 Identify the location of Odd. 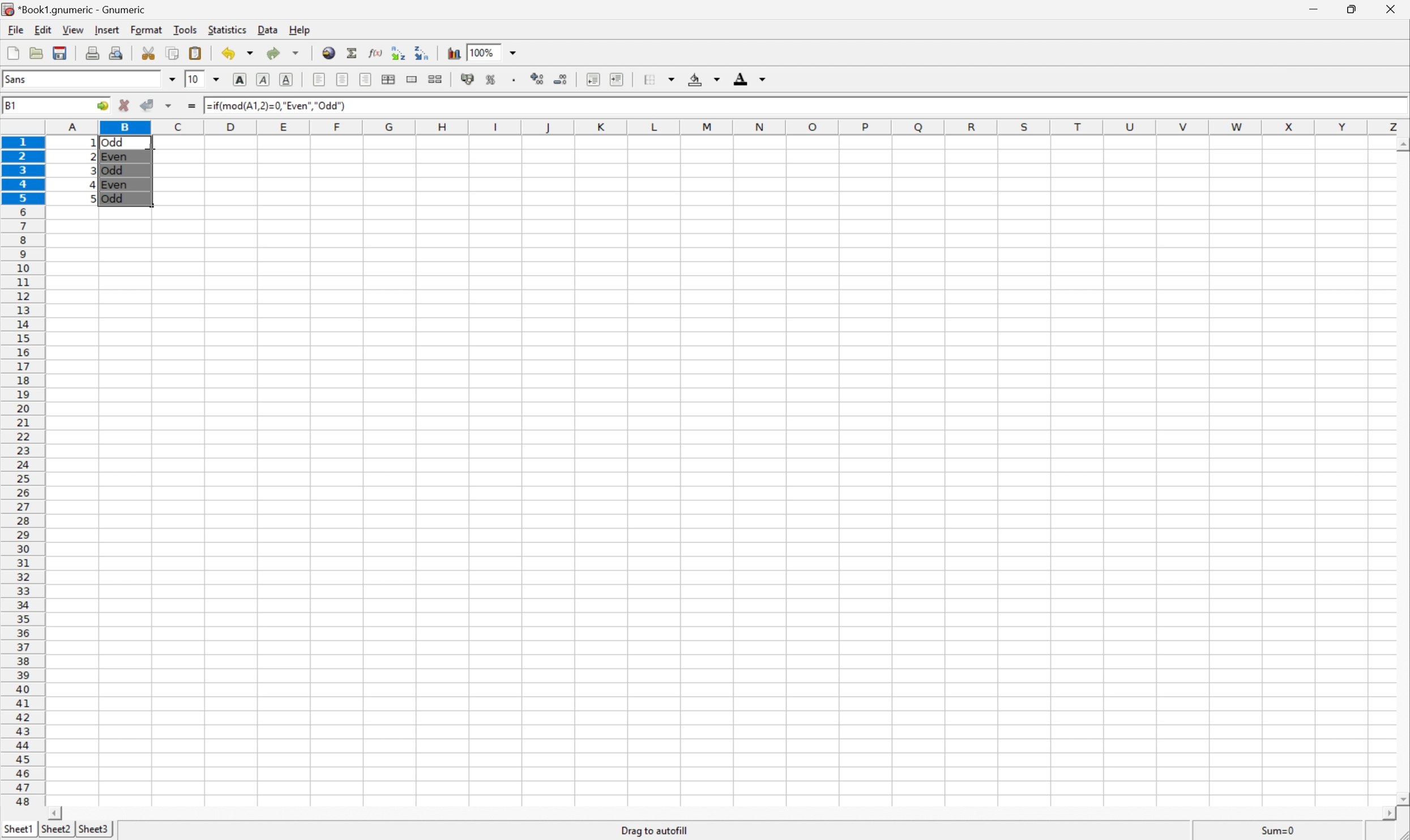
(114, 170).